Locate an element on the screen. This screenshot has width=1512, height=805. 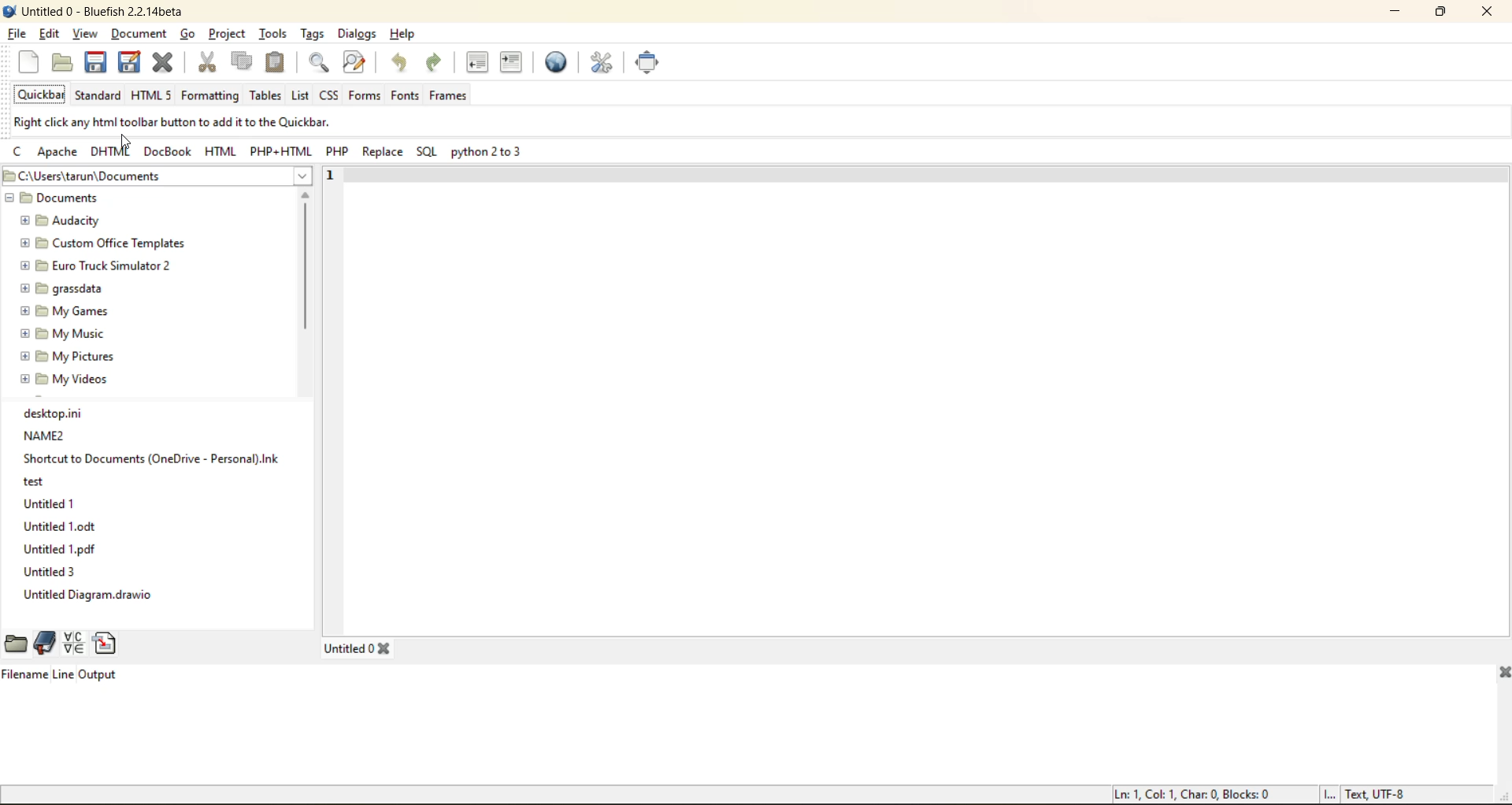
standard is located at coordinates (99, 96).